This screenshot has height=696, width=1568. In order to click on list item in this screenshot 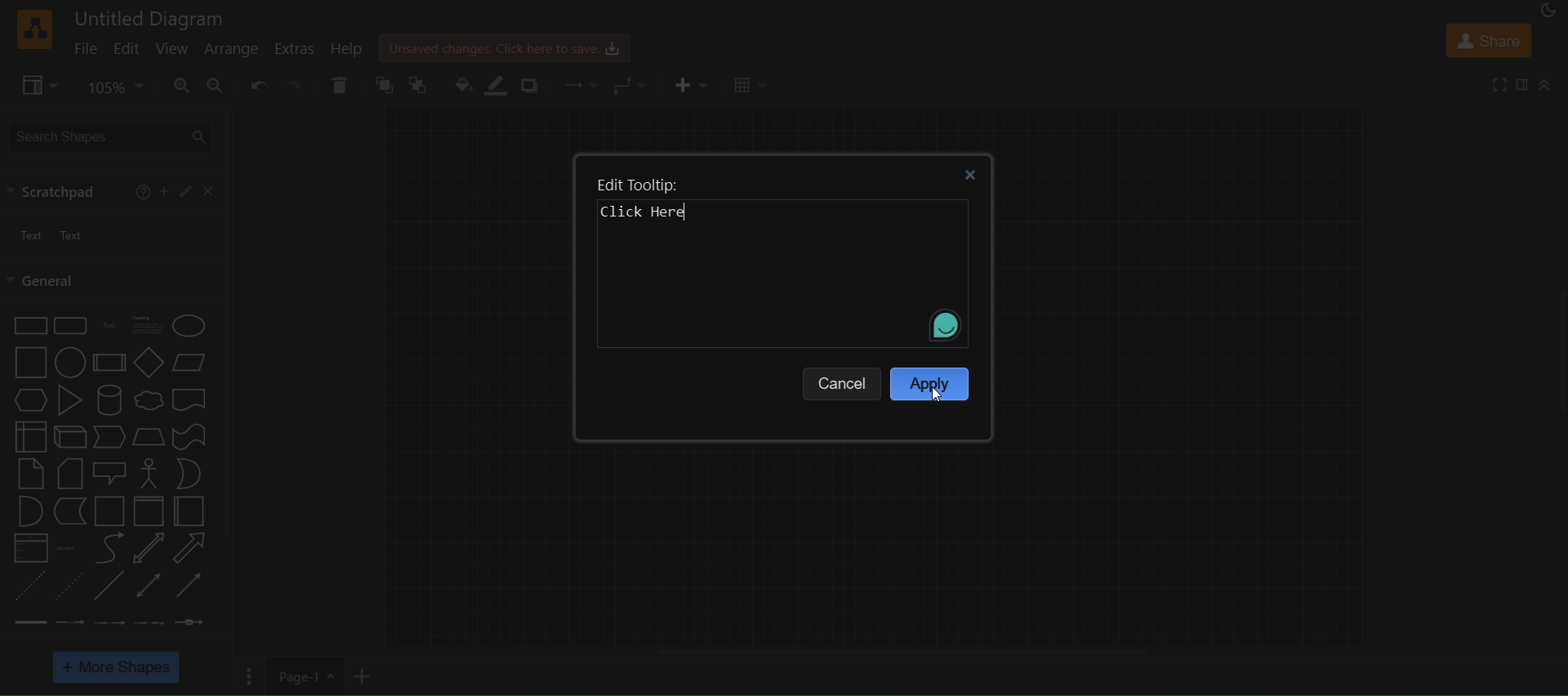, I will do `click(68, 548)`.